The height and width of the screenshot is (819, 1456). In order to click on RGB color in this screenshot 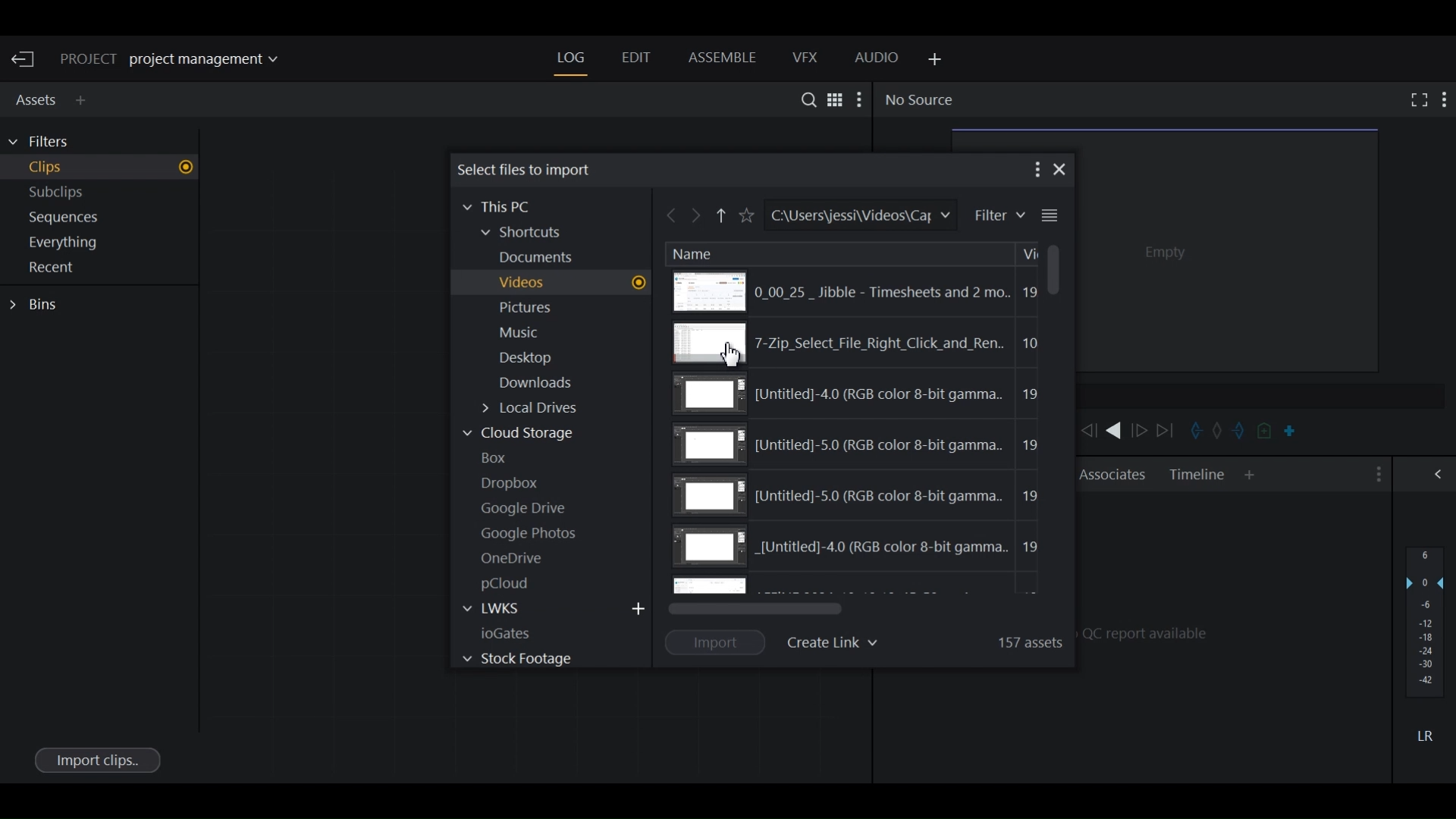, I will do `click(860, 445)`.